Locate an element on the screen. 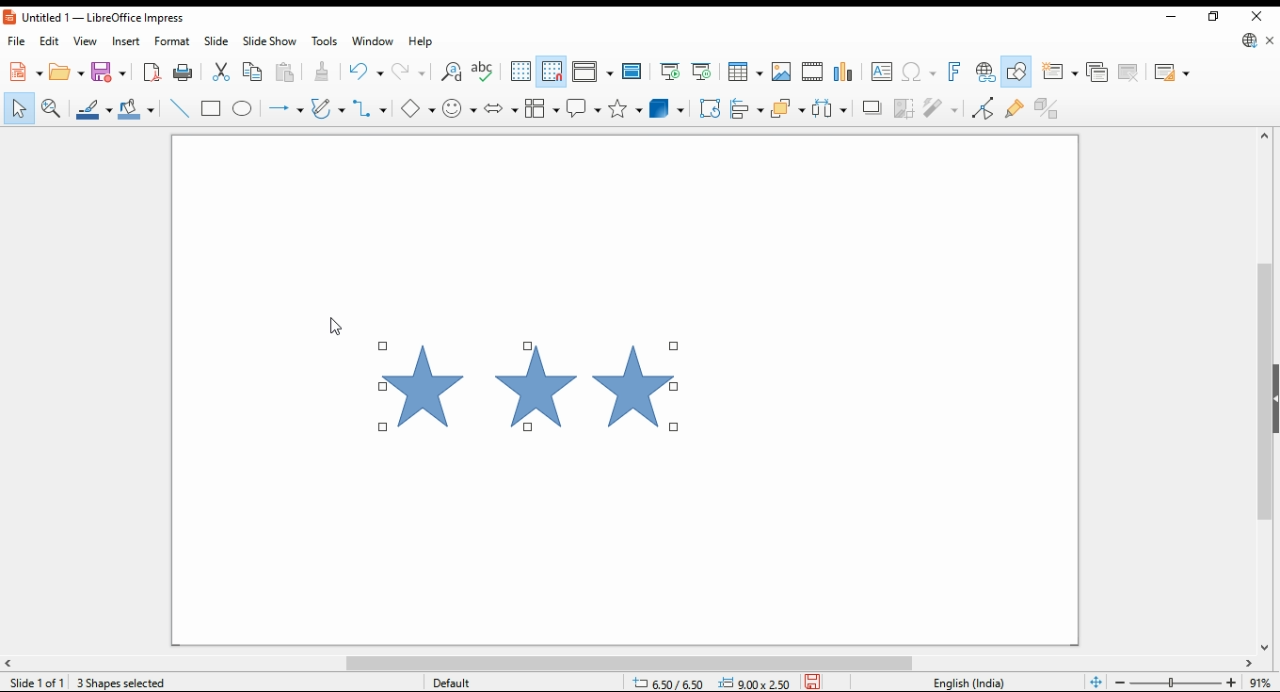 The image size is (1280, 692). slide layout is located at coordinates (1173, 73).